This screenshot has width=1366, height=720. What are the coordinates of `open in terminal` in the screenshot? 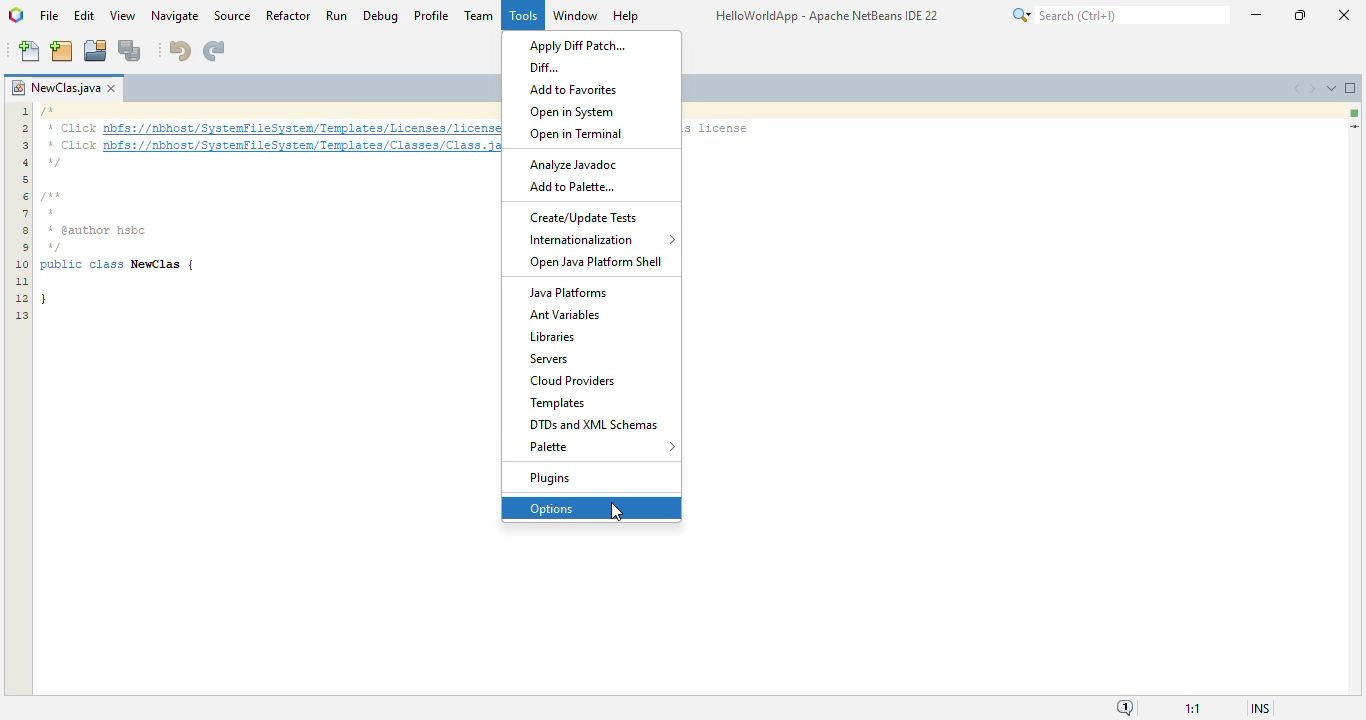 It's located at (575, 134).